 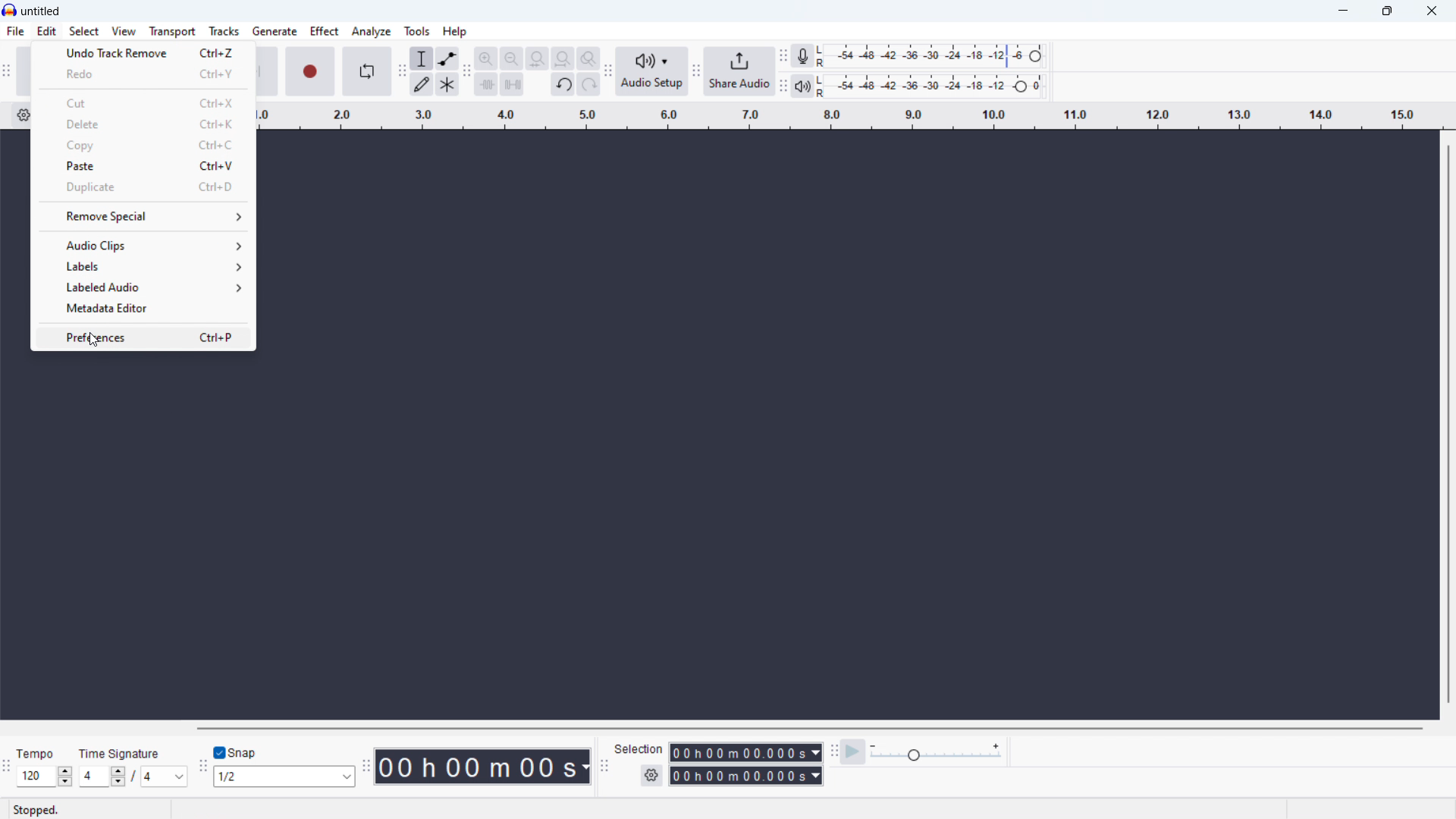 I want to click on selection settings, so click(x=651, y=775).